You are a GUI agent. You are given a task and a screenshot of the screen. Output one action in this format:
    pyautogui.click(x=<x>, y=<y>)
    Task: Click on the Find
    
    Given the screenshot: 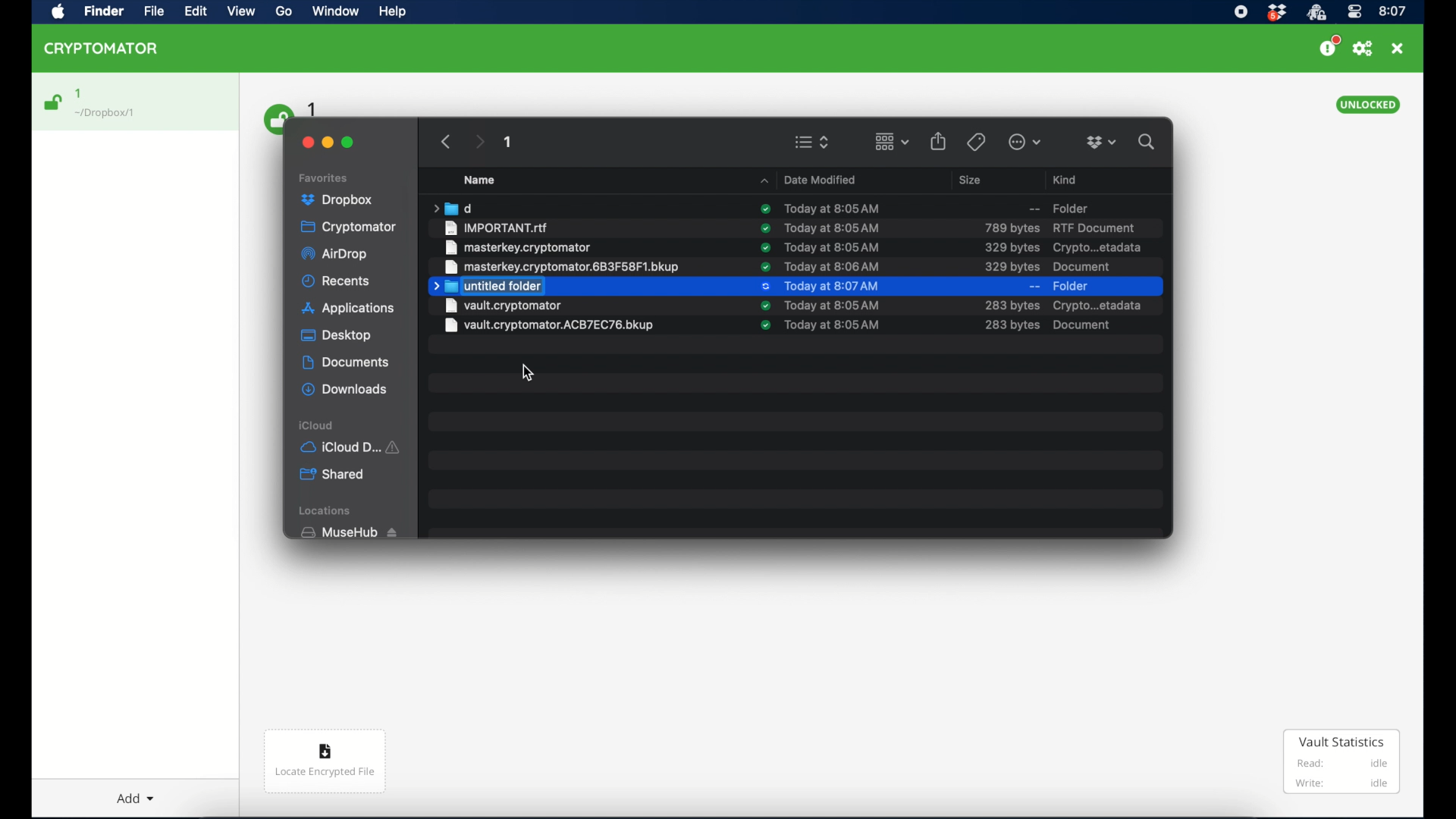 What is the action you would take?
    pyautogui.click(x=107, y=12)
    